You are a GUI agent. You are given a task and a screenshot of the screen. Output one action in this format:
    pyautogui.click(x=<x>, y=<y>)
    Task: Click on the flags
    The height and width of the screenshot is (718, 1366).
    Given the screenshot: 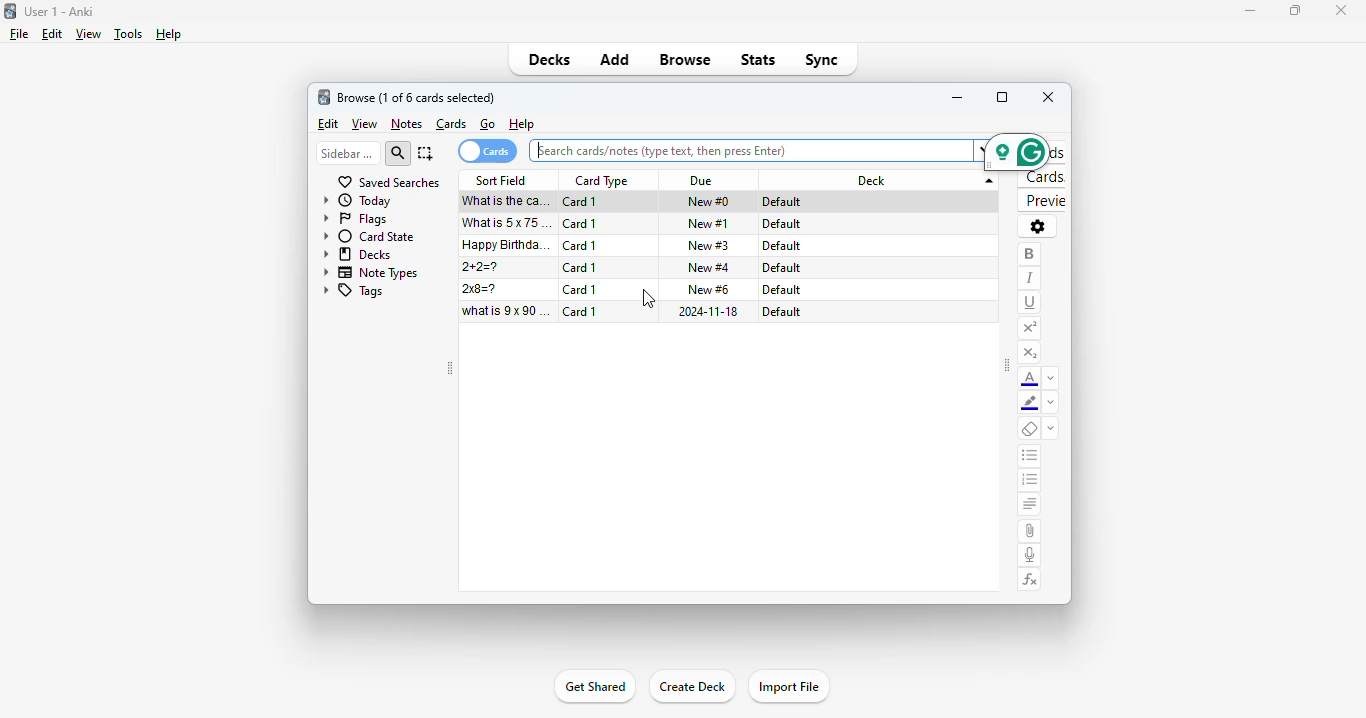 What is the action you would take?
    pyautogui.click(x=355, y=220)
    